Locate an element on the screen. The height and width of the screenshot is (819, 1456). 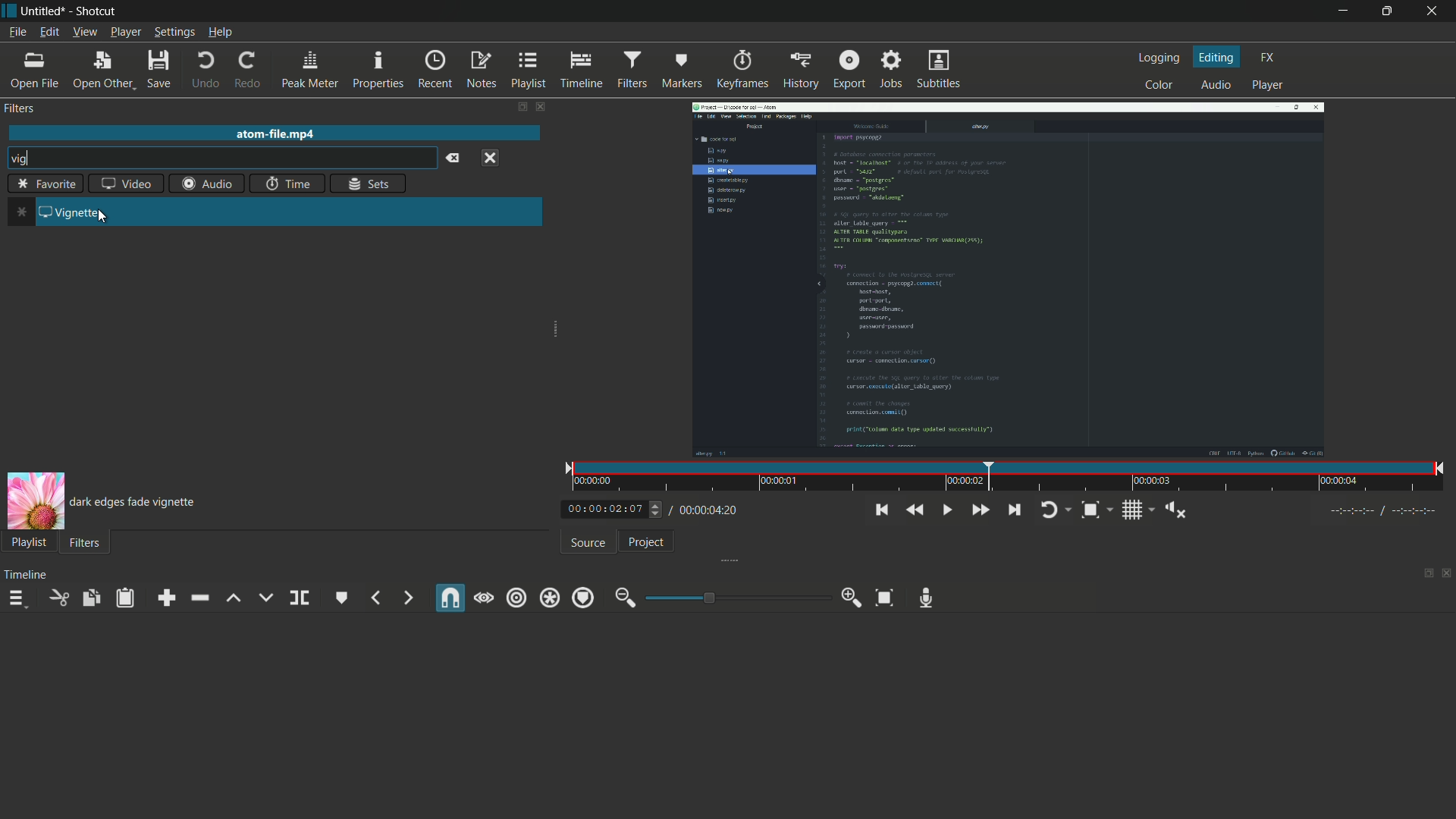
zoom timeline to fit is located at coordinates (885, 598).